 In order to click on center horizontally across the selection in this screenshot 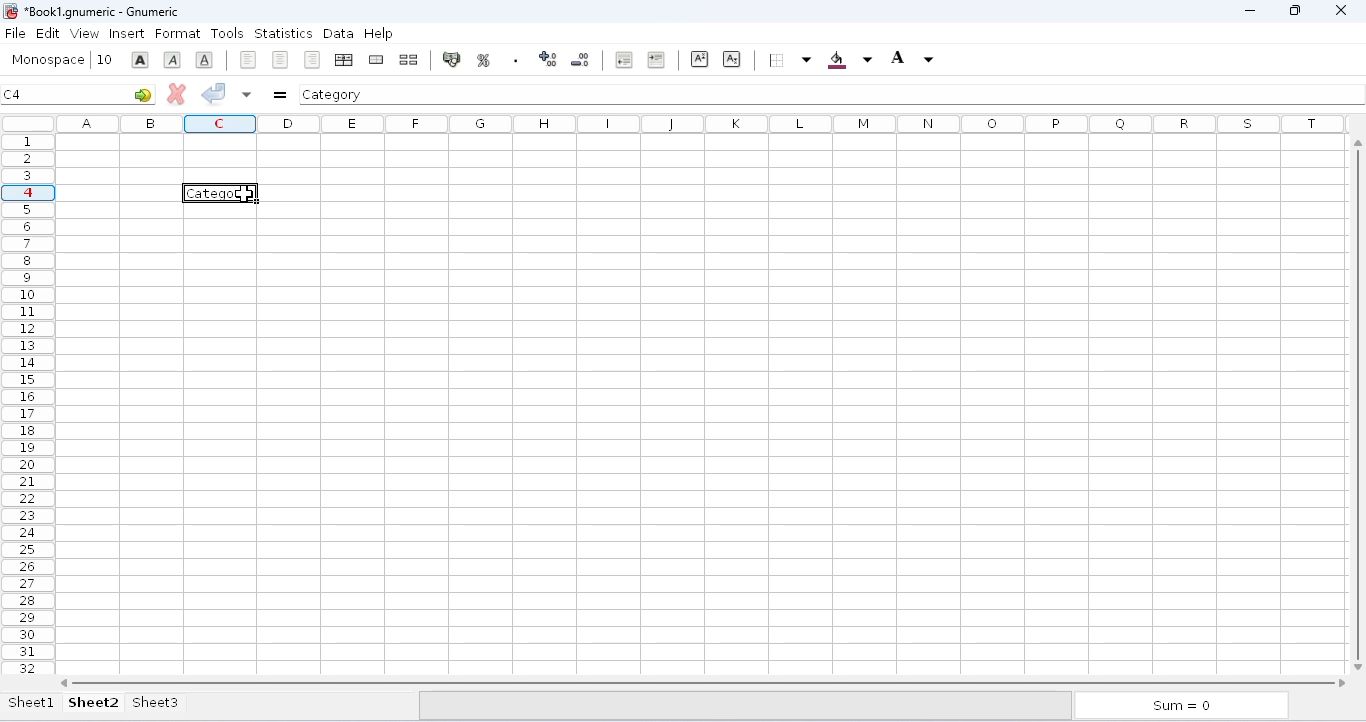, I will do `click(343, 60)`.